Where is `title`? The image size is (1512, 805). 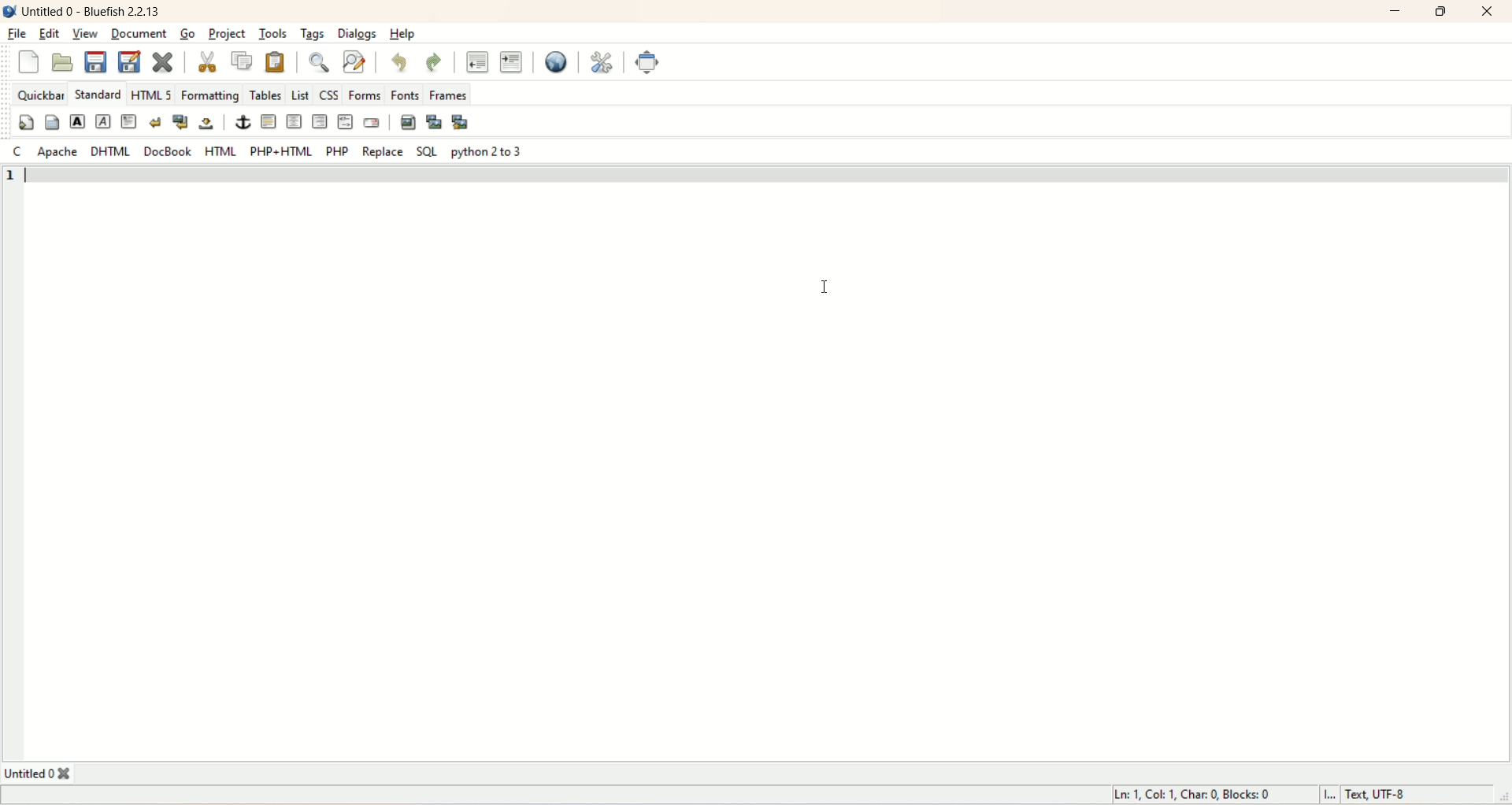
title is located at coordinates (95, 10).